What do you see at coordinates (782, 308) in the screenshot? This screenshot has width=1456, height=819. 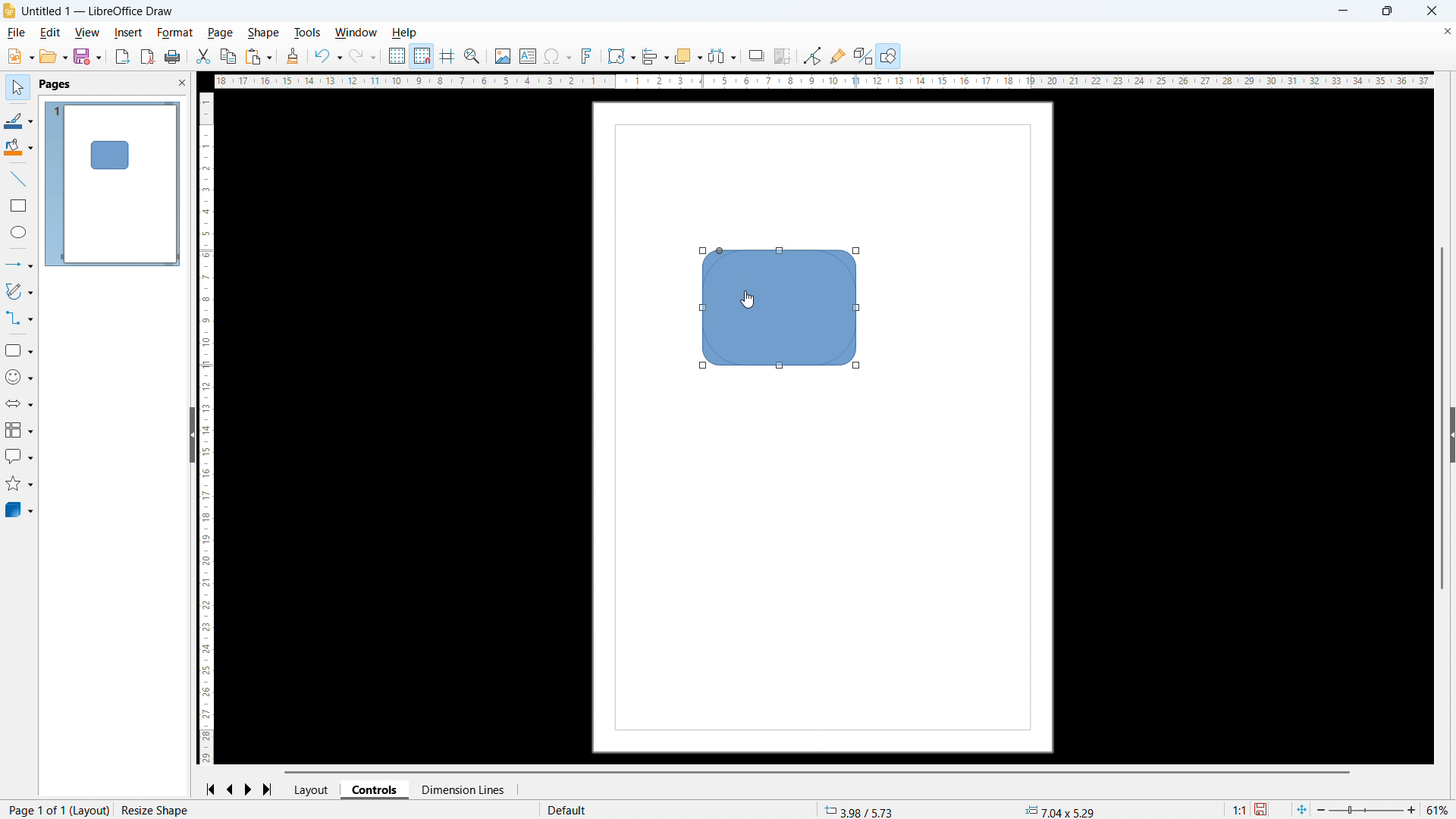 I see `Curvature being adjusted` at bounding box center [782, 308].